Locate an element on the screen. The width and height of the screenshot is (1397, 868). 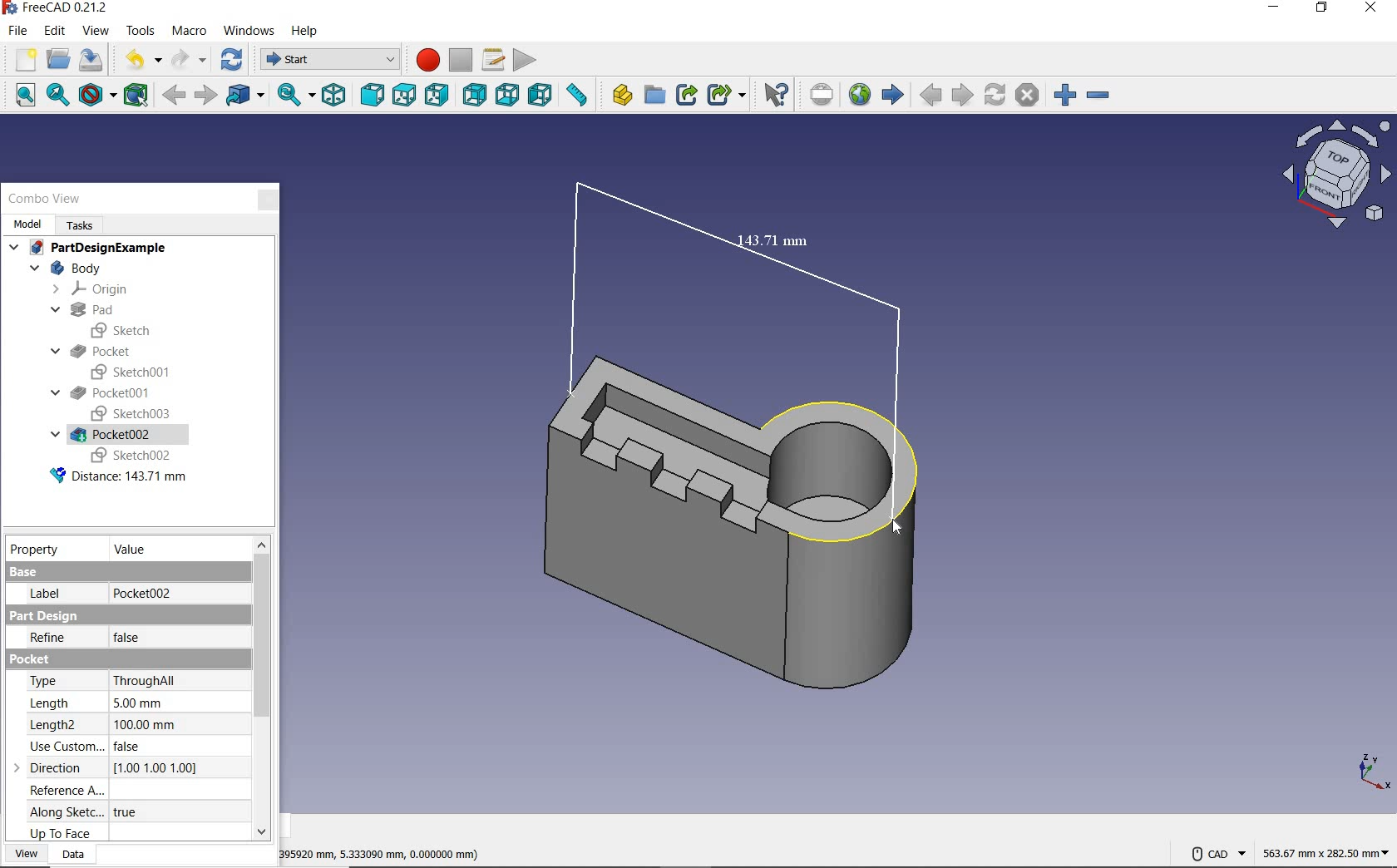
DATA is located at coordinates (73, 856).